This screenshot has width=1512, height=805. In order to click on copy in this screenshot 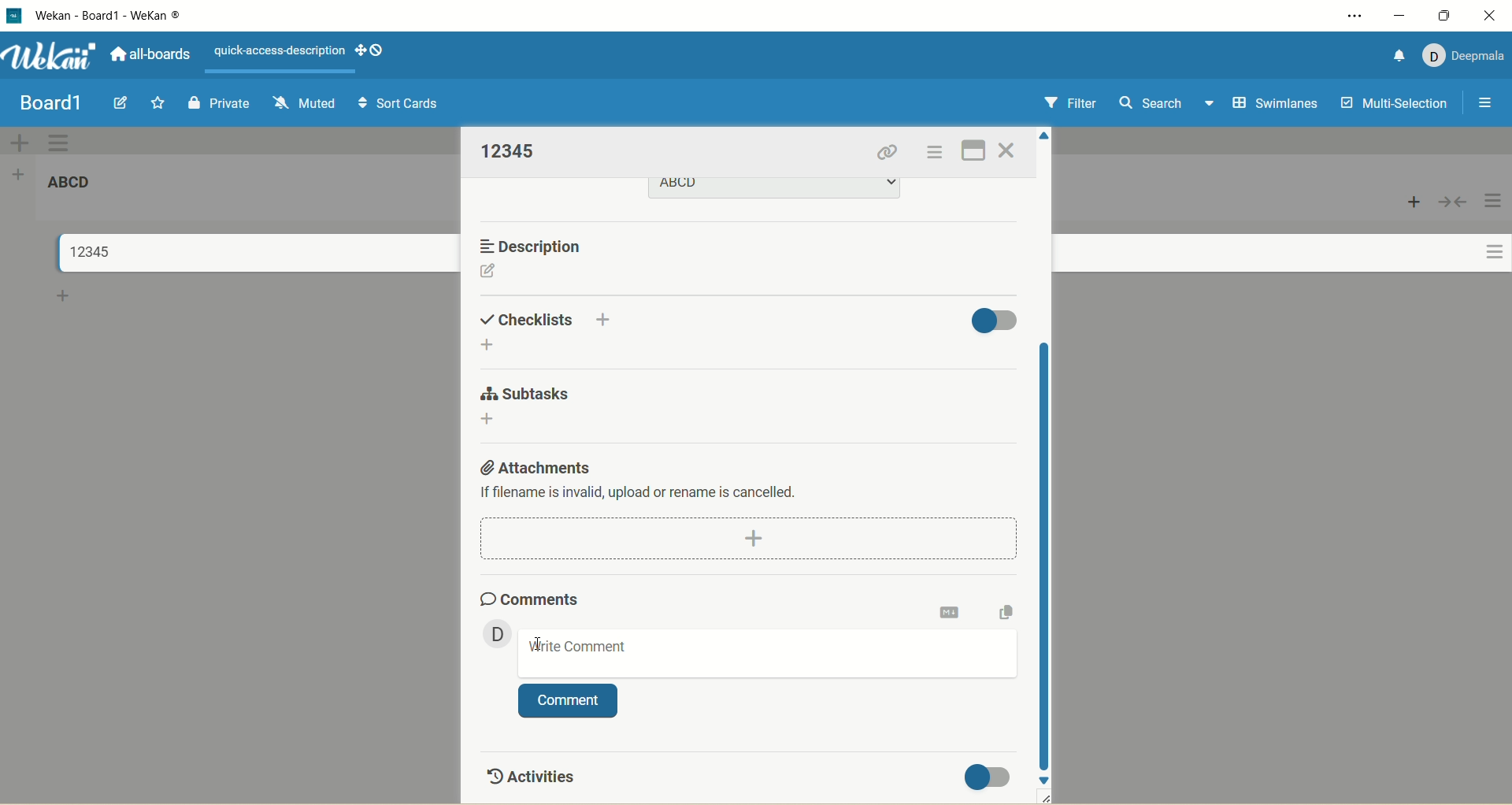, I will do `click(1007, 611)`.